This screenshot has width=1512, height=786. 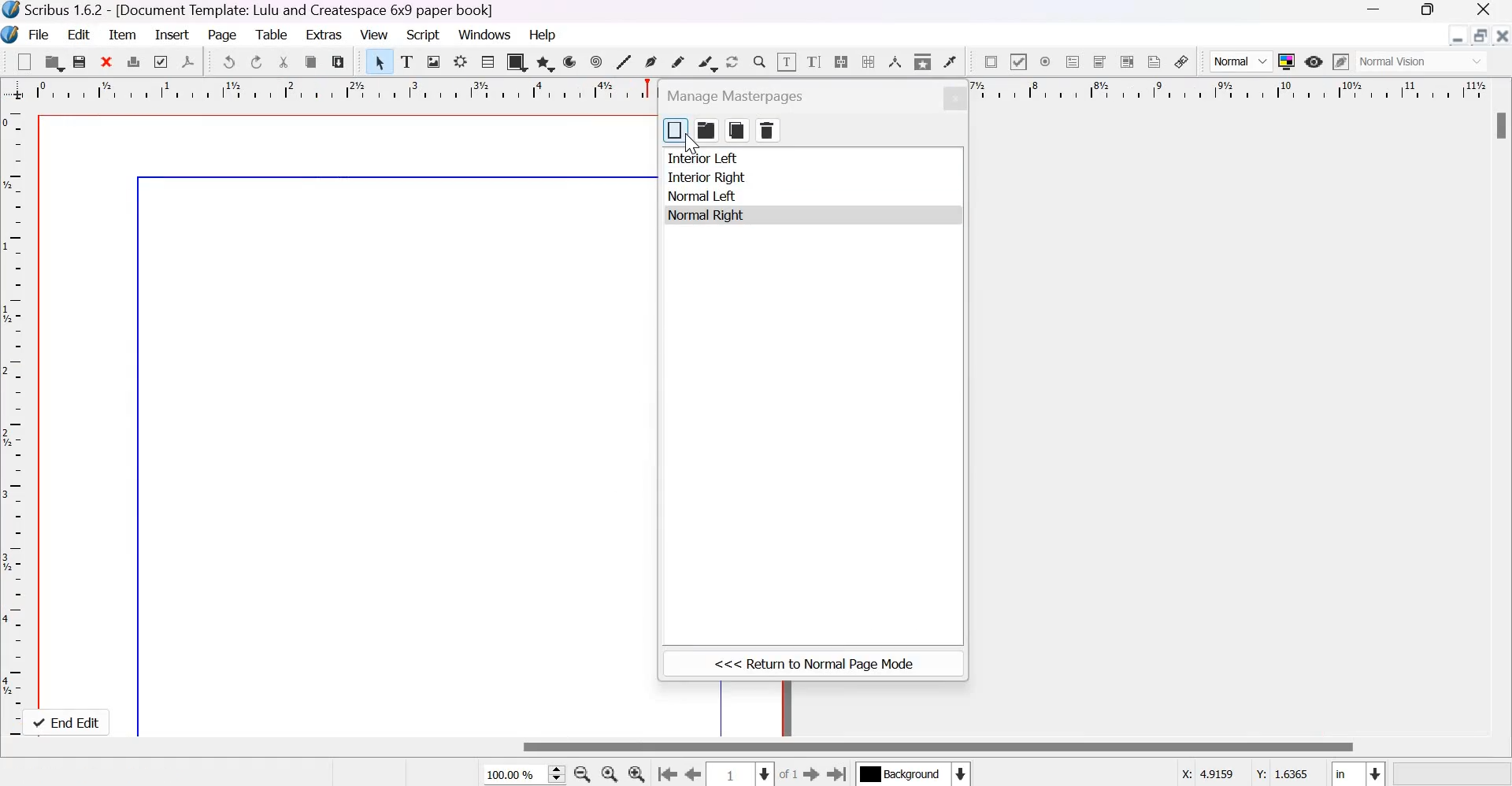 What do you see at coordinates (521, 775) in the screenshot?
I see `current zoom level` at bounding box center [521, 775].